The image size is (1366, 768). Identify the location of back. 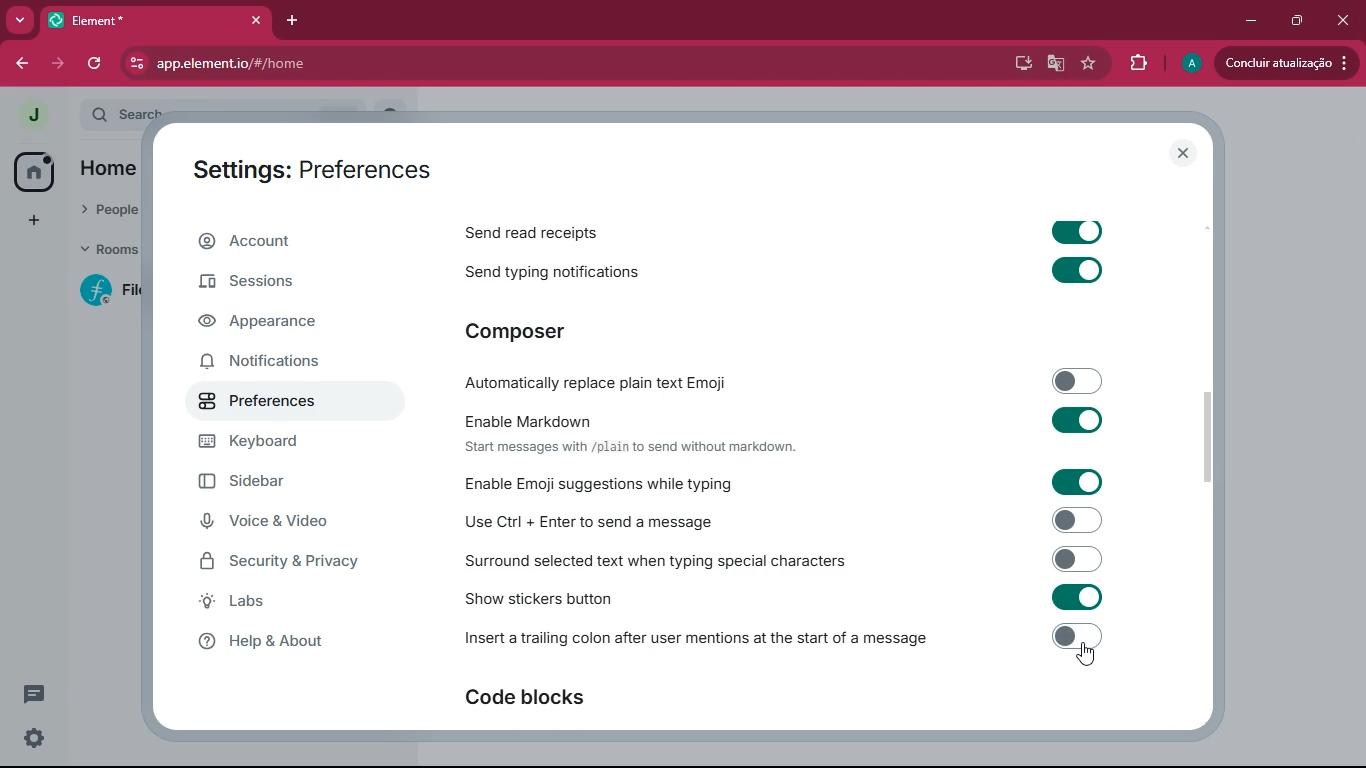
(23, 63).